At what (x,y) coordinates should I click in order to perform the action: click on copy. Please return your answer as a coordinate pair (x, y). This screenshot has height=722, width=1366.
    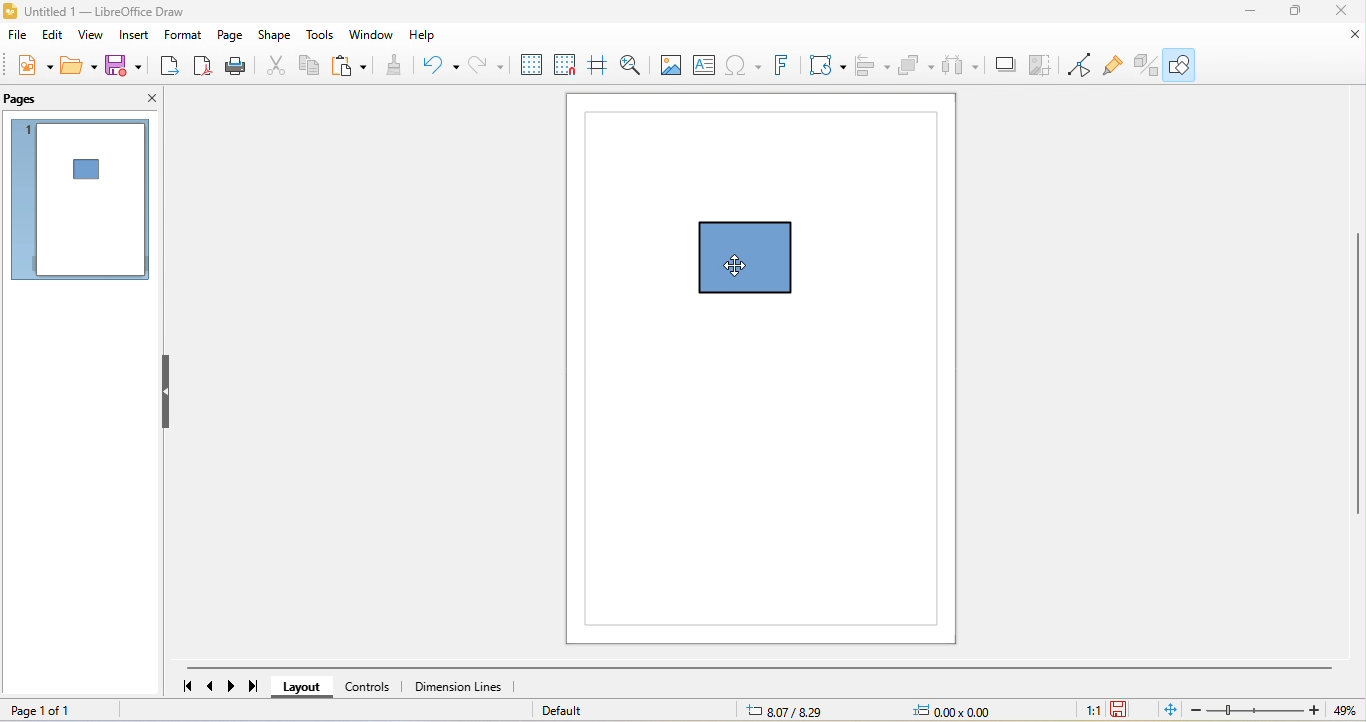
    Looking at the image, I should click on (313, 67).